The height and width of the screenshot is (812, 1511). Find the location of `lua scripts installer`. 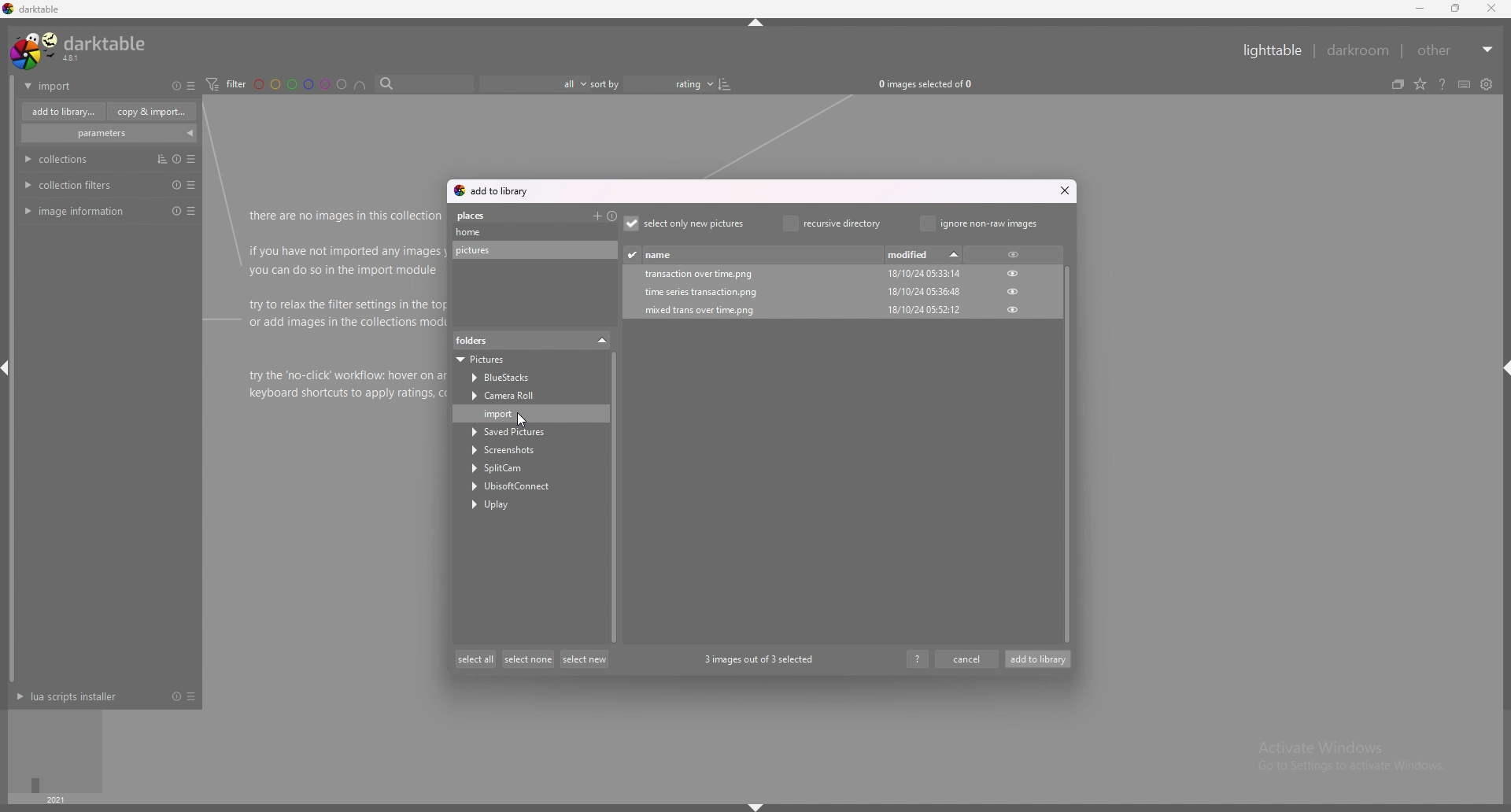

lua scripts installer is located at coordinates (73, 696).